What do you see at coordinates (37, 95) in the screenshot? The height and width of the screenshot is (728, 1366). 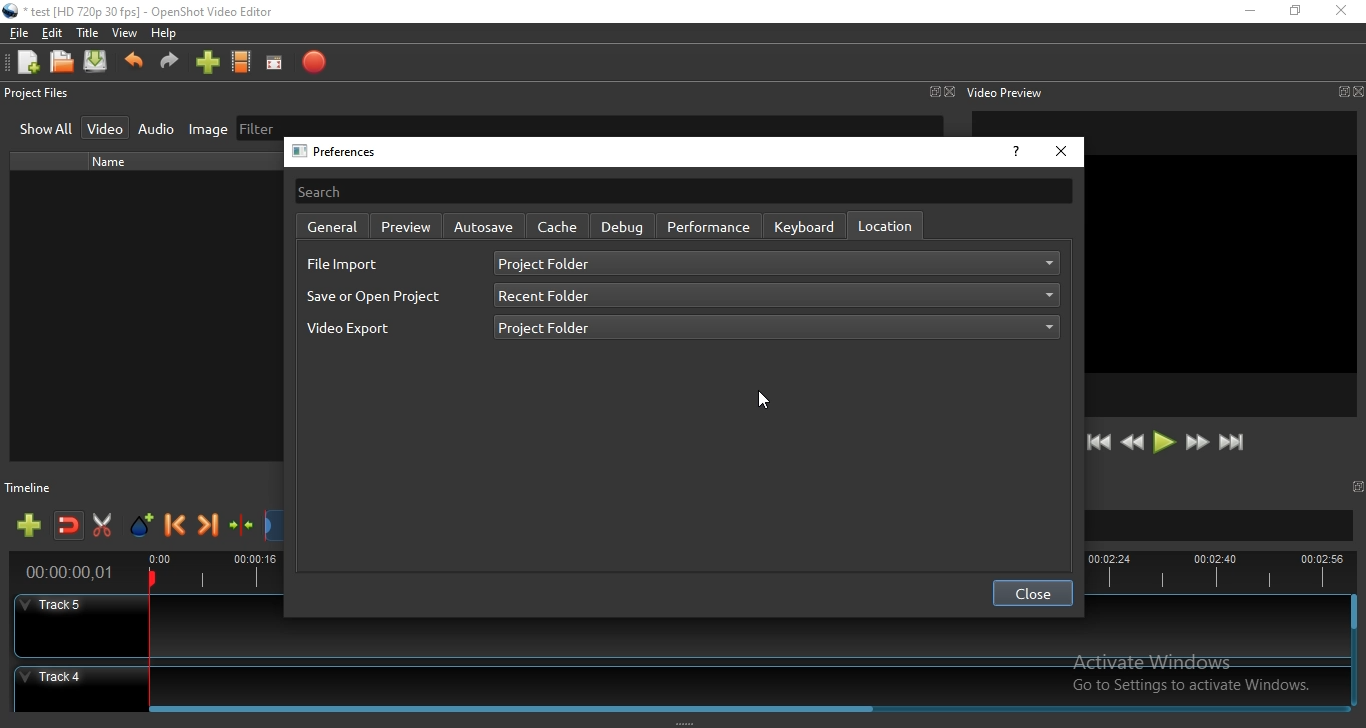 I see `Project files` at bounding box center [37, 95].